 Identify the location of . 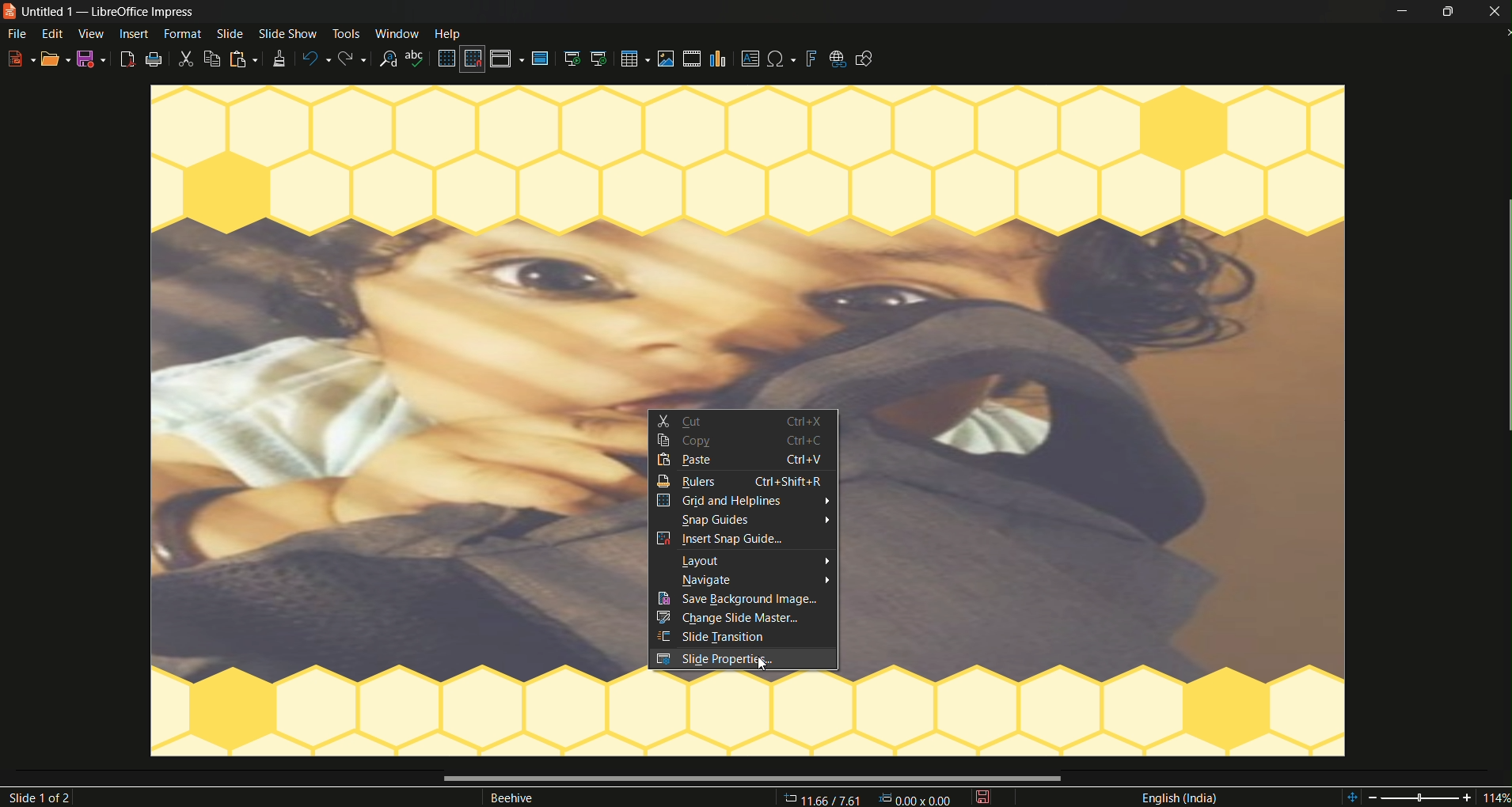
(803, 459).